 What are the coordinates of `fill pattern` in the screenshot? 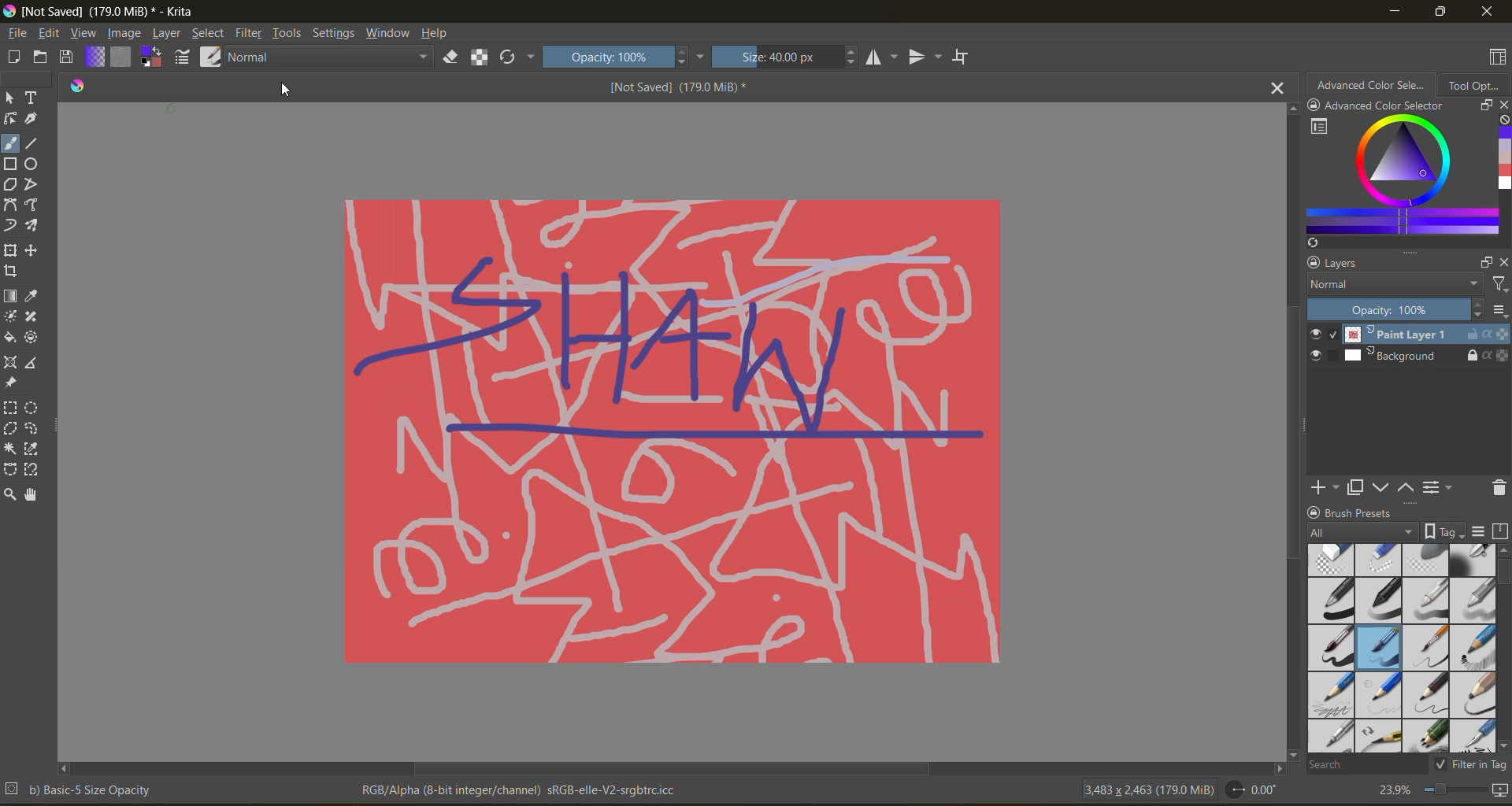 It's located at (121, 57).